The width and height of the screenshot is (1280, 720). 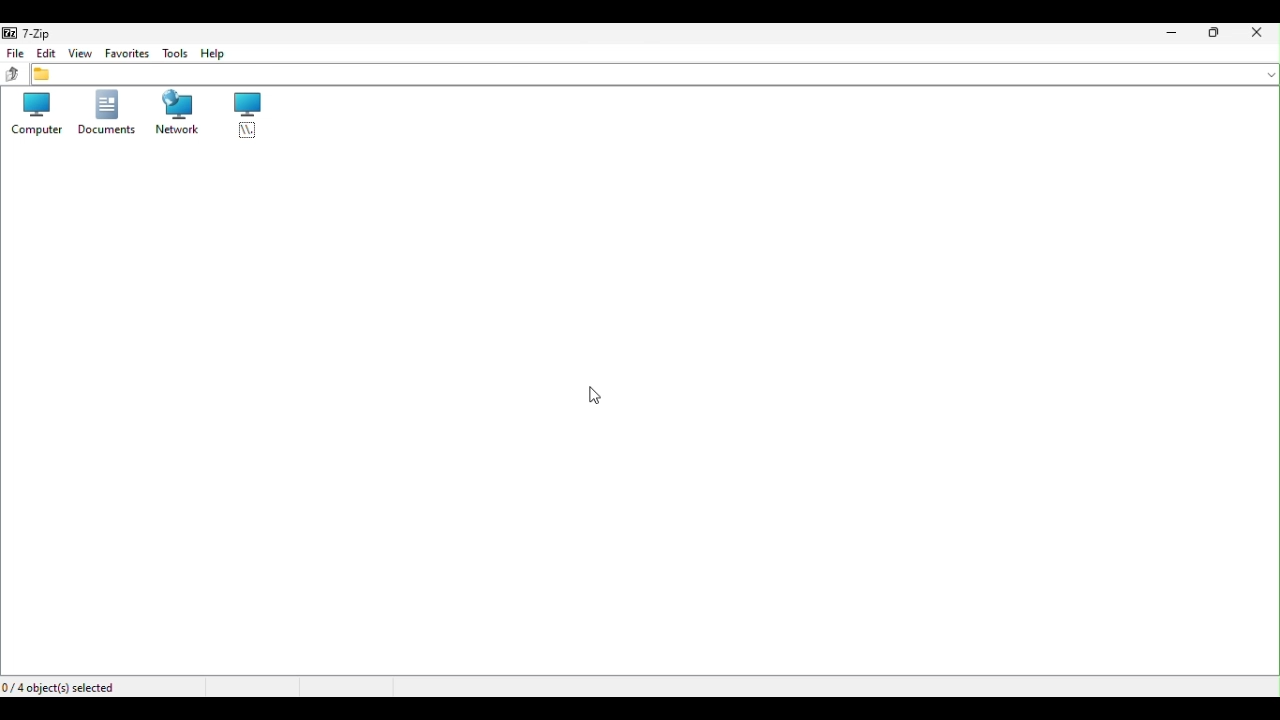 I want to click on Minimise, so click(x=1176, y=34).